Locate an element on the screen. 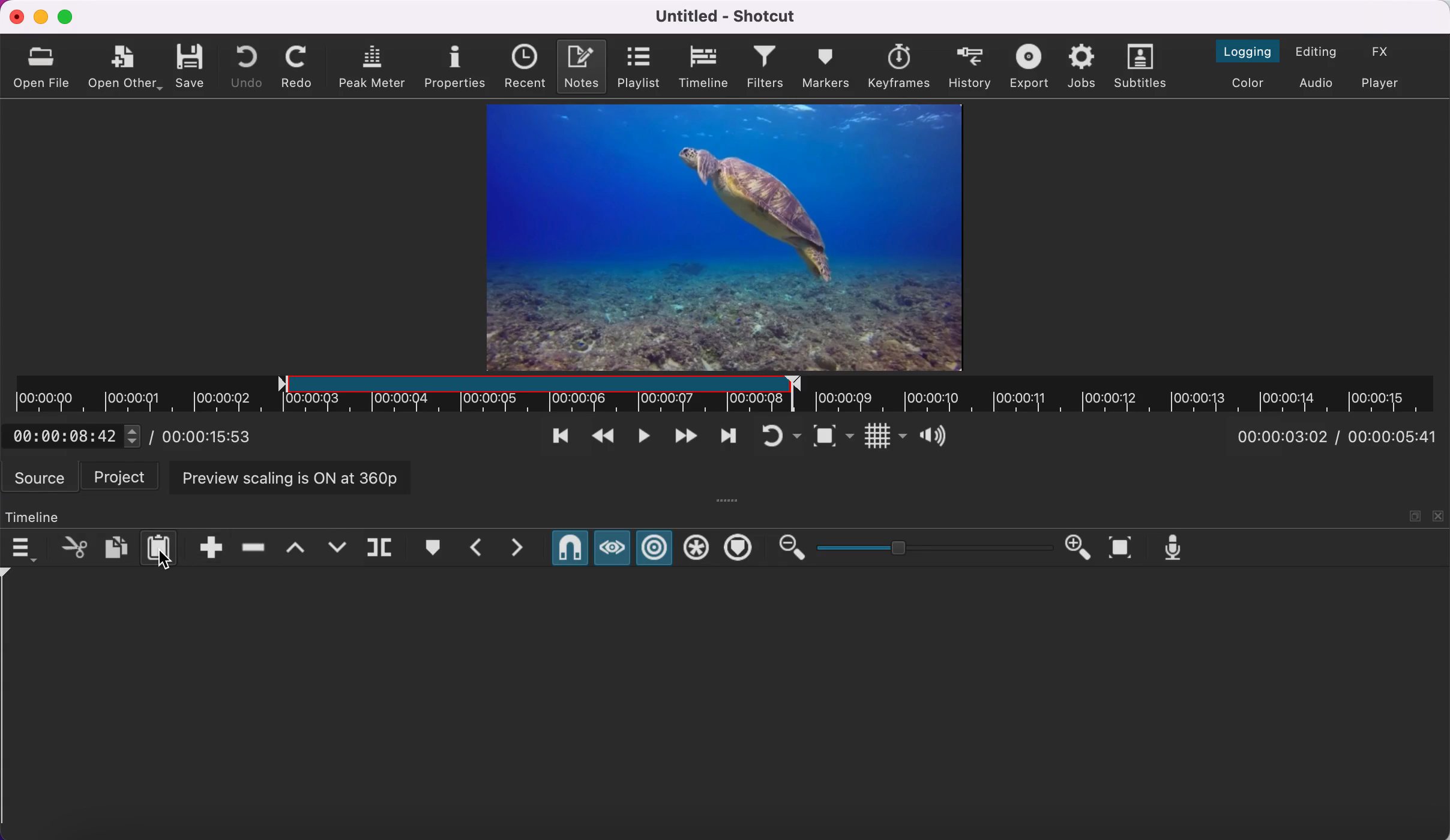  keyframes is located at coordinates (901, 65).